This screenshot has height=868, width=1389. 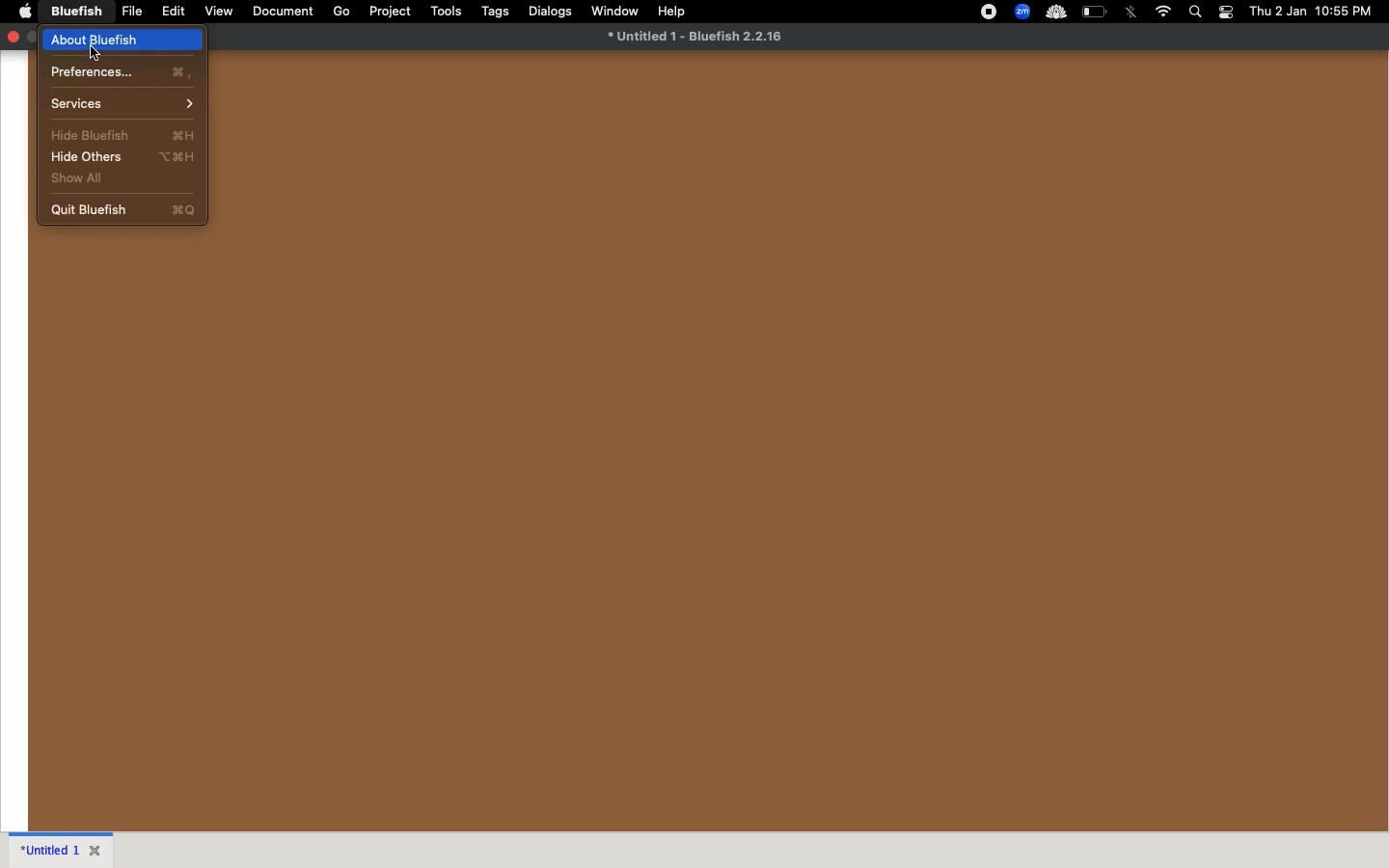 What do you see at coordinates (1055, 13) in the screenshot?
I see `extension` at bounding box center [1055, 13].